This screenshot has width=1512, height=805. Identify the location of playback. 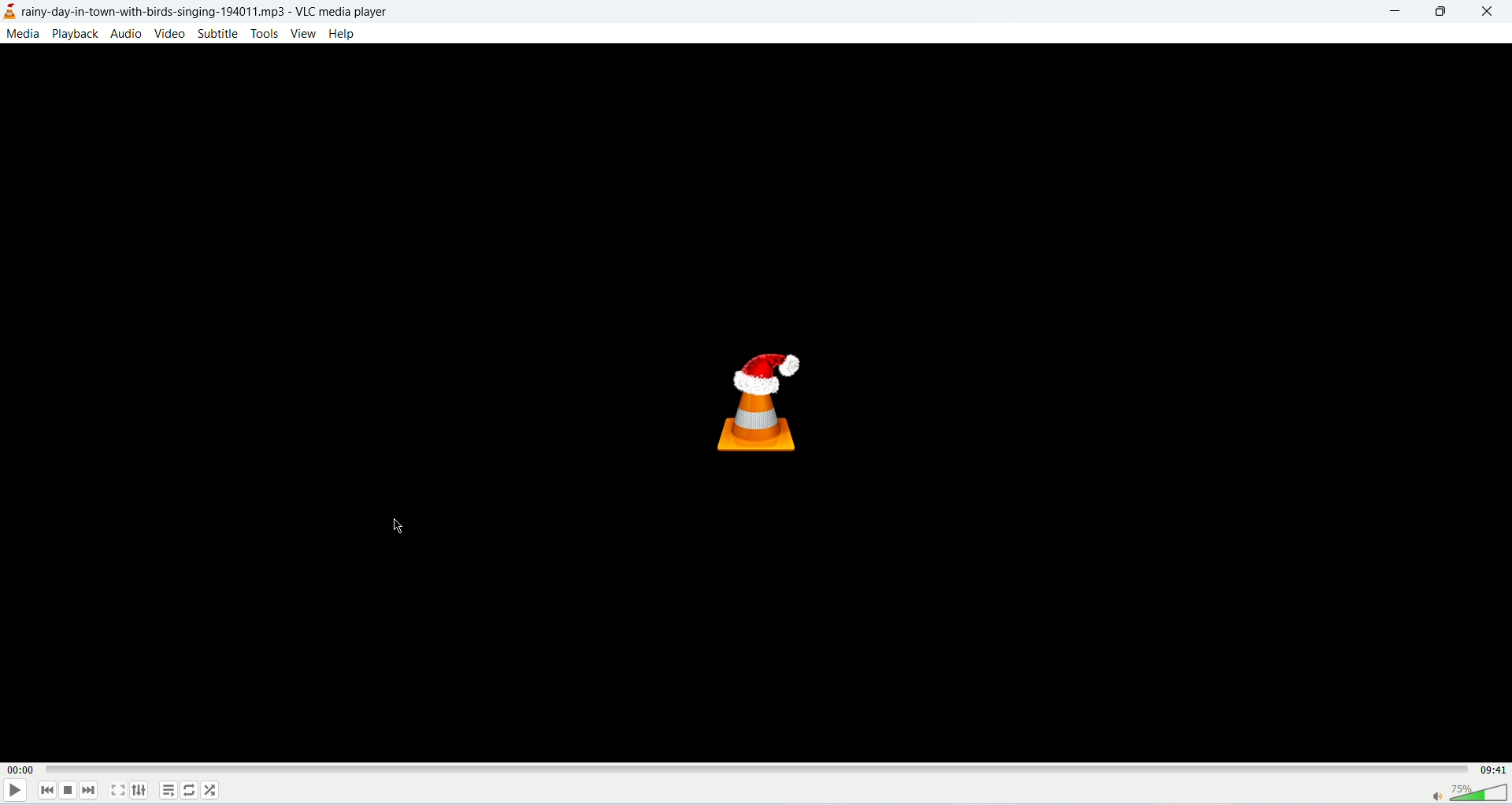
(76, 34).